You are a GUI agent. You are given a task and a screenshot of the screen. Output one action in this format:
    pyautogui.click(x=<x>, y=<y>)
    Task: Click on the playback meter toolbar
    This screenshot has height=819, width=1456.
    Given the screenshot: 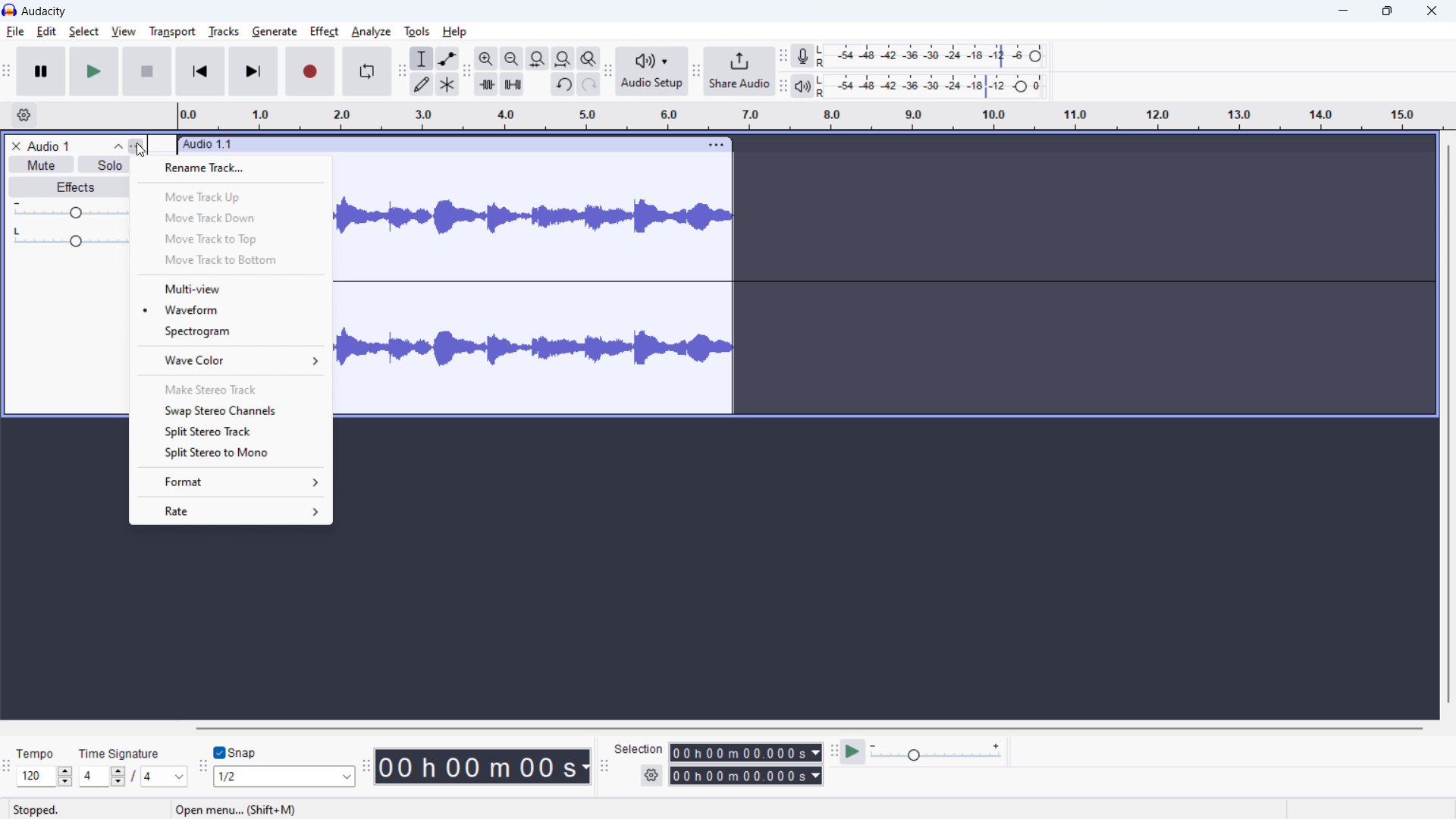 What is the action you would take?
    pyautogui.click(x=784, y=86)
    